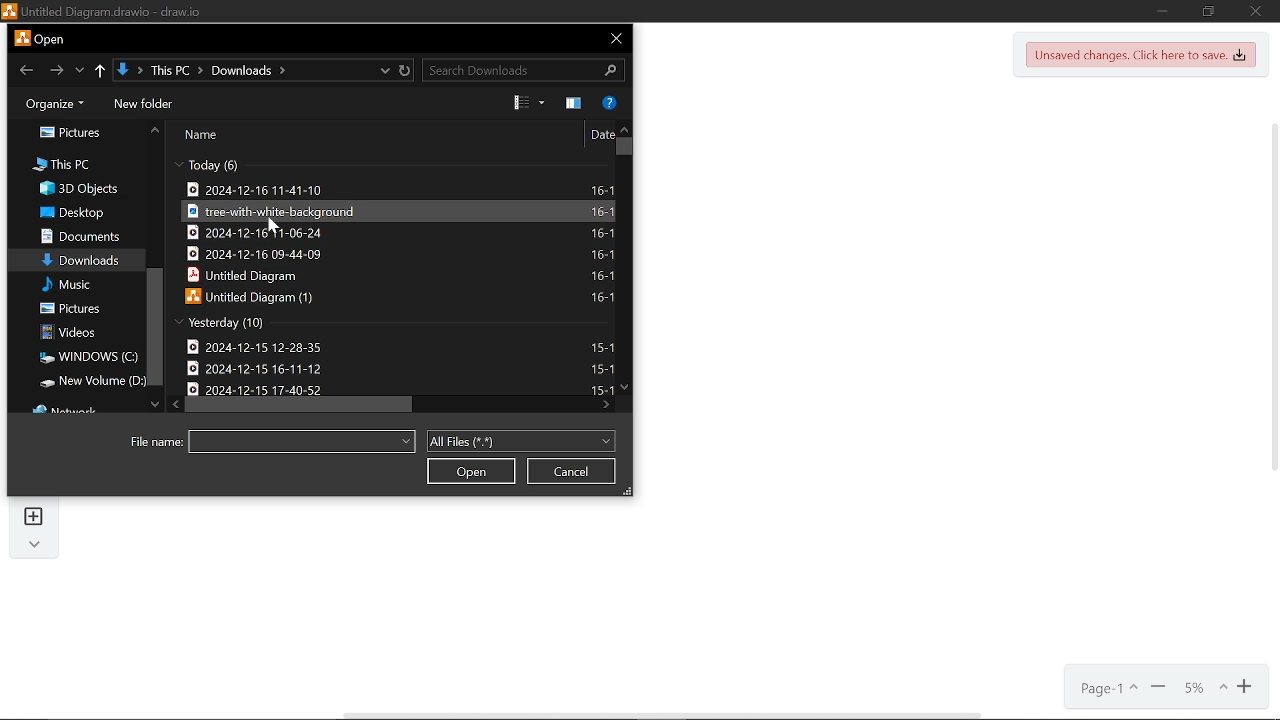  I want to click on Vertical scrollbar, so click(623, 147).